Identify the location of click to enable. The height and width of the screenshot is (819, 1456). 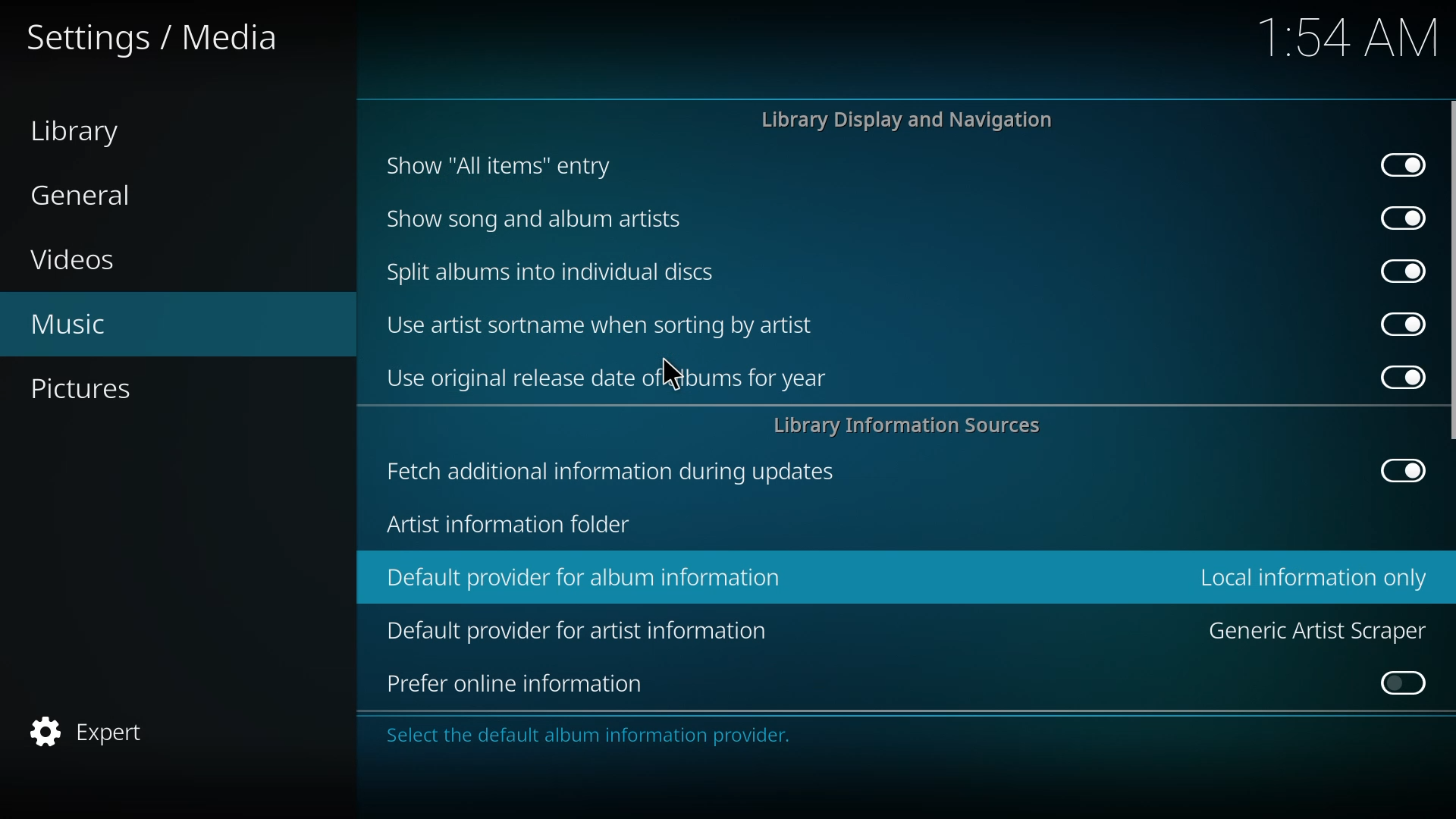
(1395, 685).